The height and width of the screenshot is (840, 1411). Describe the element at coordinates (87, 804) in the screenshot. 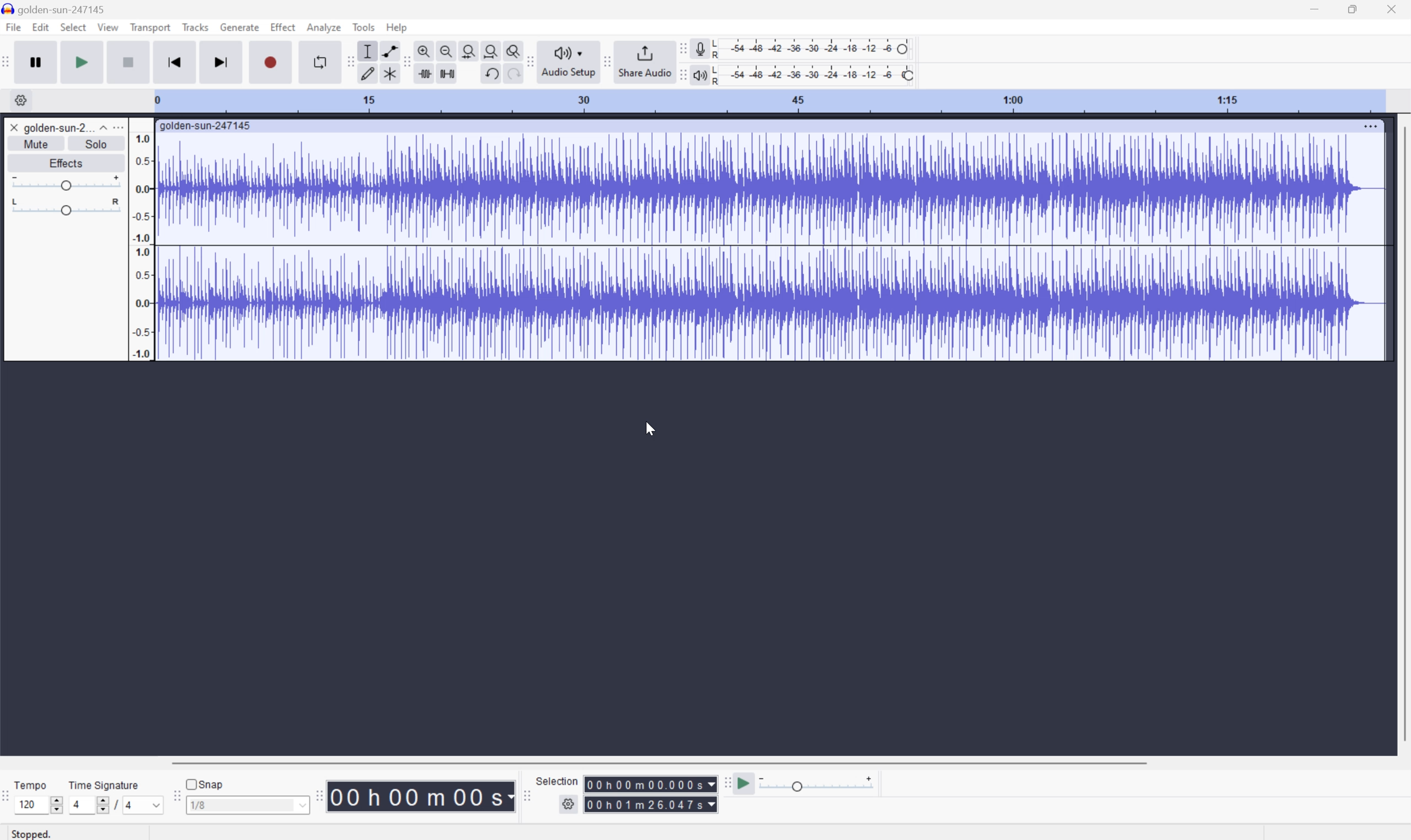

I see `4 slider` at that location.